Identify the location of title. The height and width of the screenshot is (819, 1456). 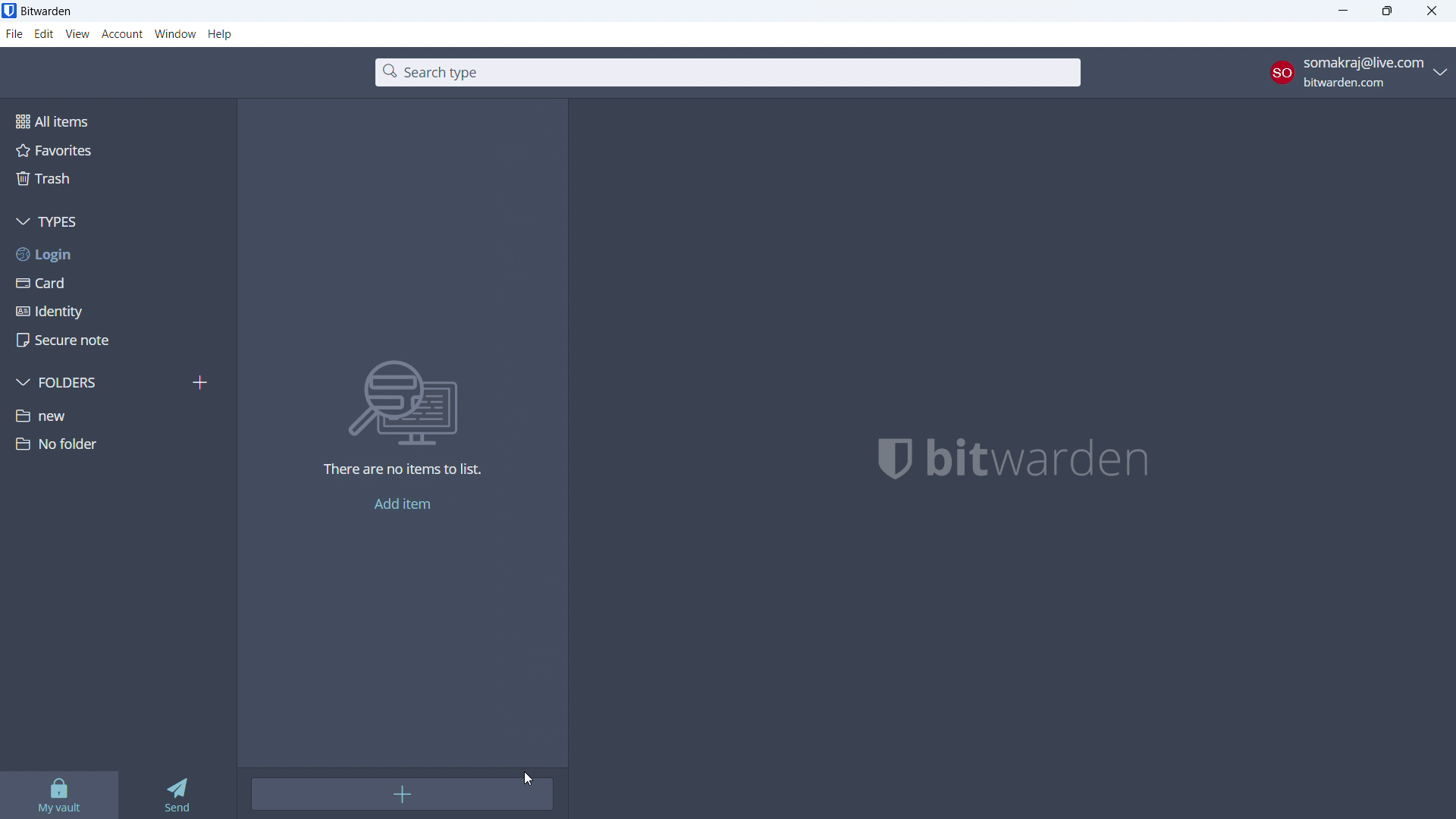
(47, 11).